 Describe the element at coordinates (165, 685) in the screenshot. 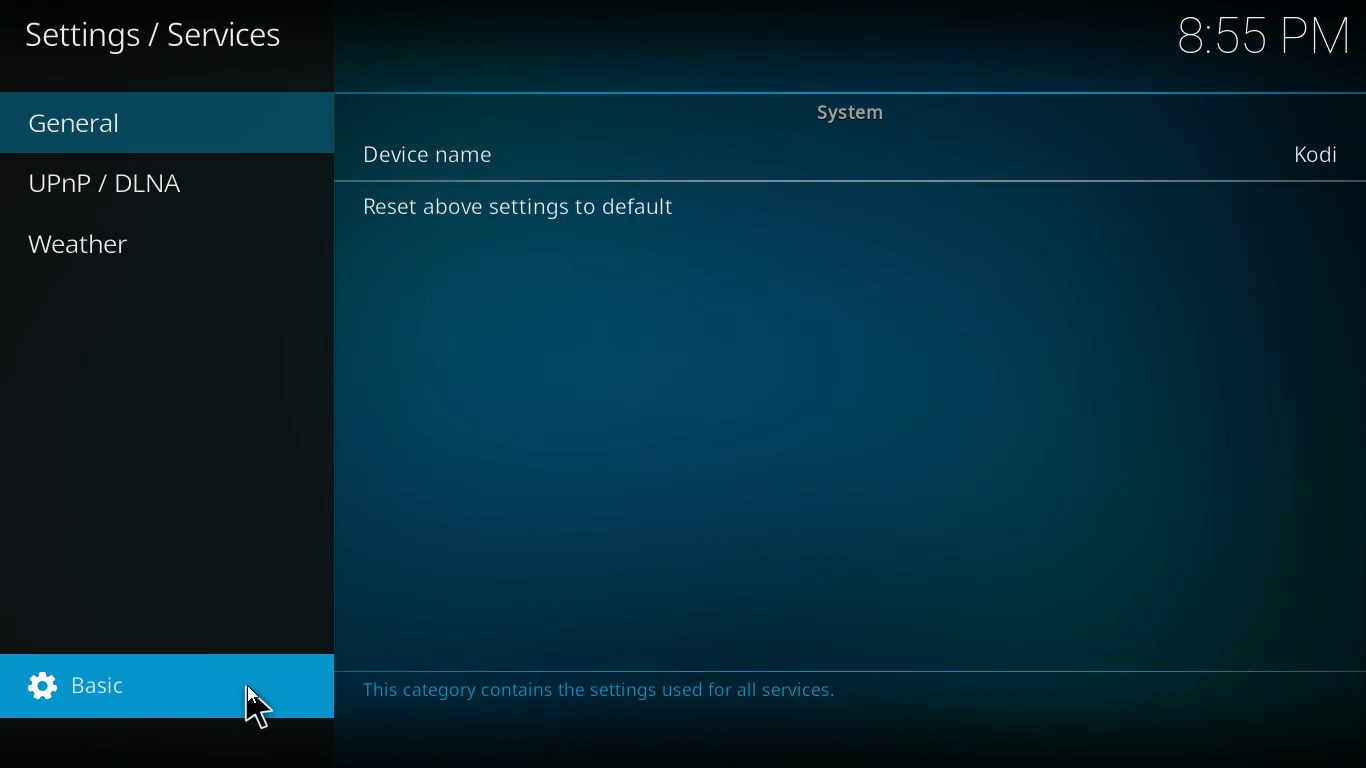

I see `basic` at that location.